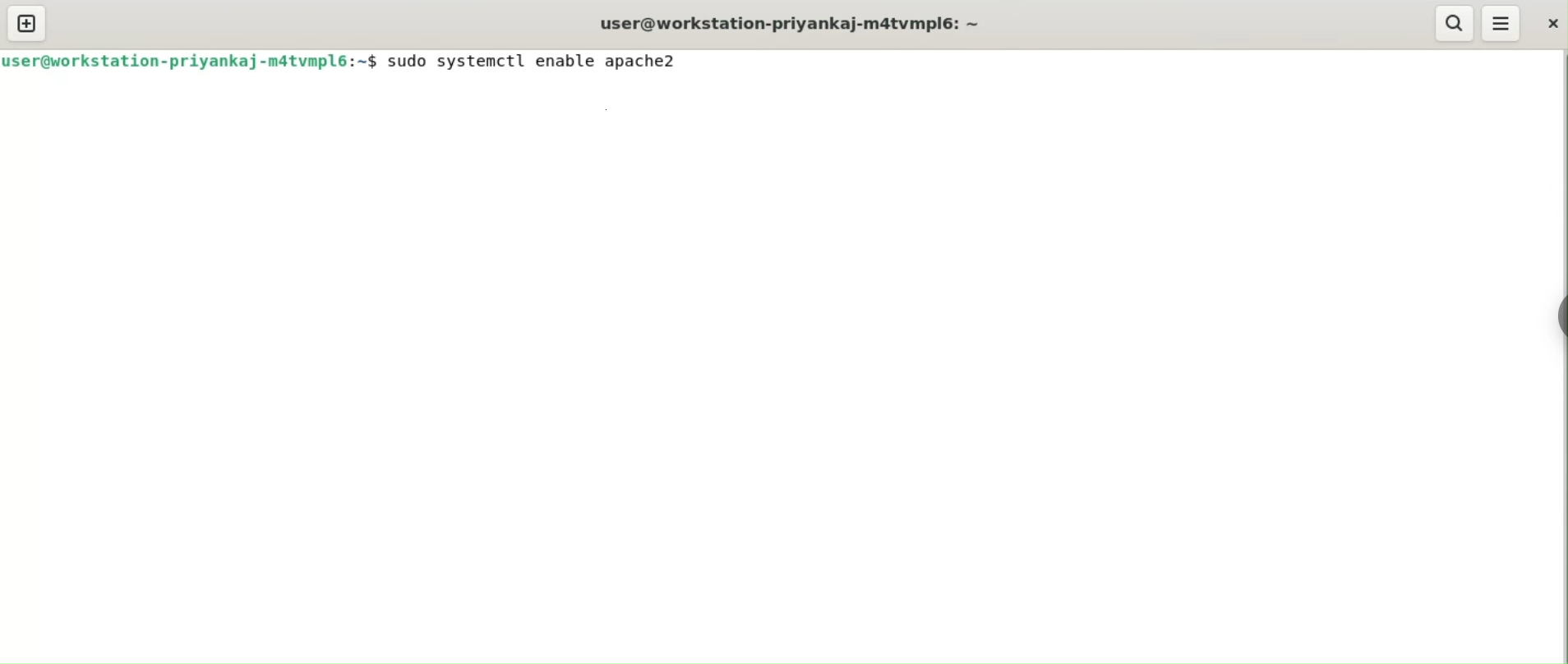  Describe the element at coordinates (26, 23) in the screenshot. I see `new tab` at that location.